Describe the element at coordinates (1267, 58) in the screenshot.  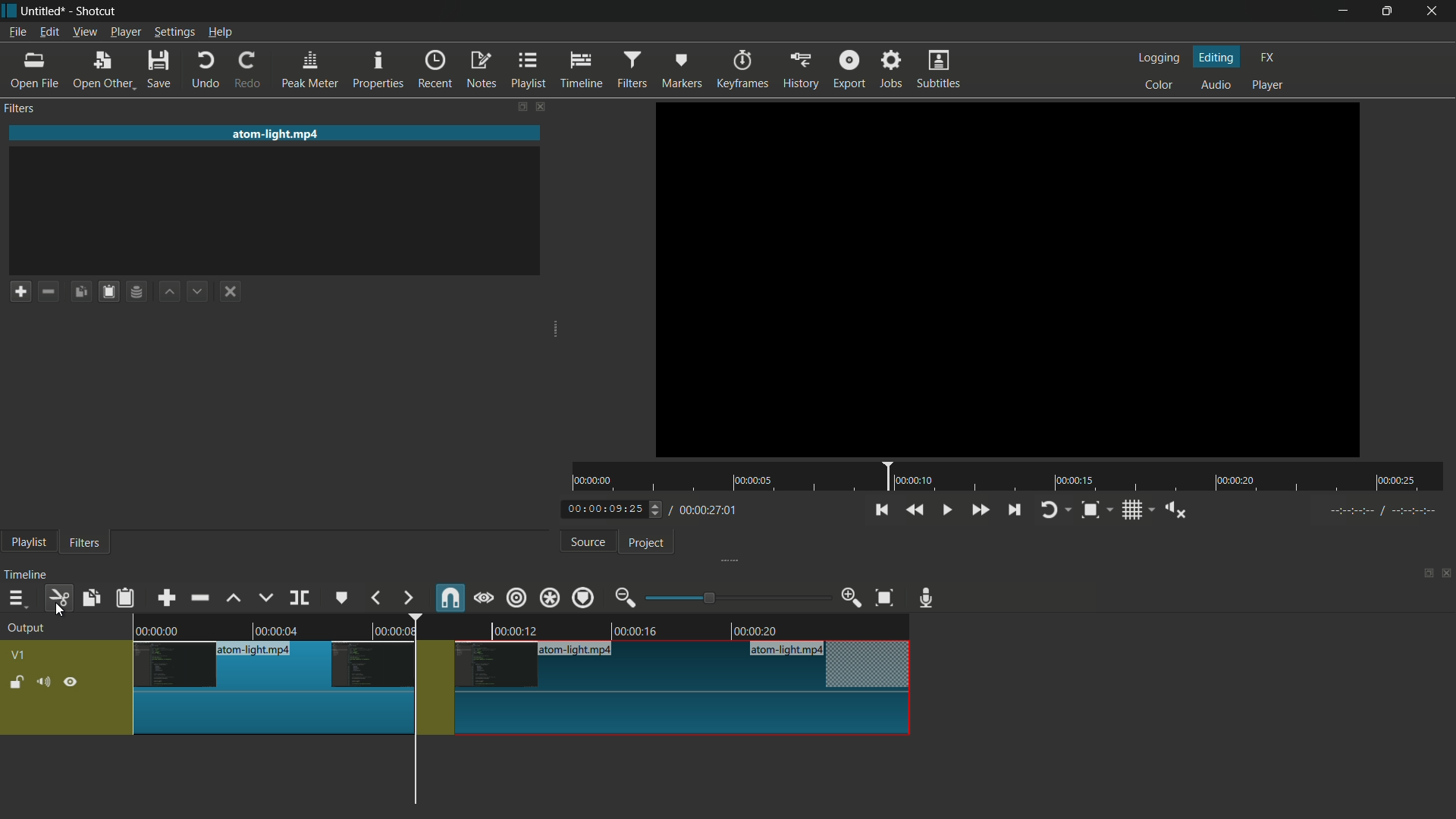
I see `fx` at that location.